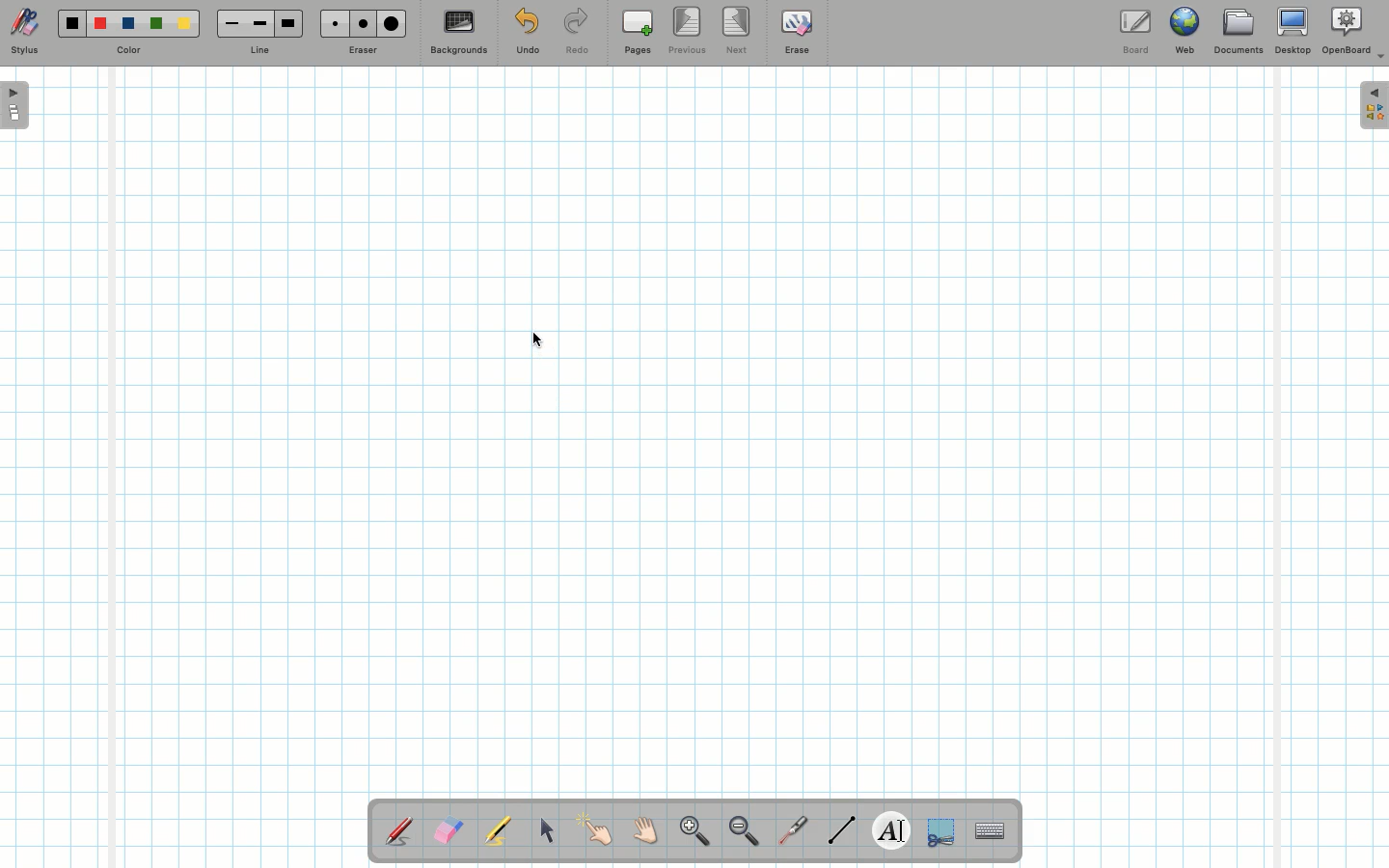 Image resolution: width=1389 pixels, height=868 pixels. What do you see at coordinates (70, 23) in the screenshot?
I see `Black` at bounding box center [70, 23].